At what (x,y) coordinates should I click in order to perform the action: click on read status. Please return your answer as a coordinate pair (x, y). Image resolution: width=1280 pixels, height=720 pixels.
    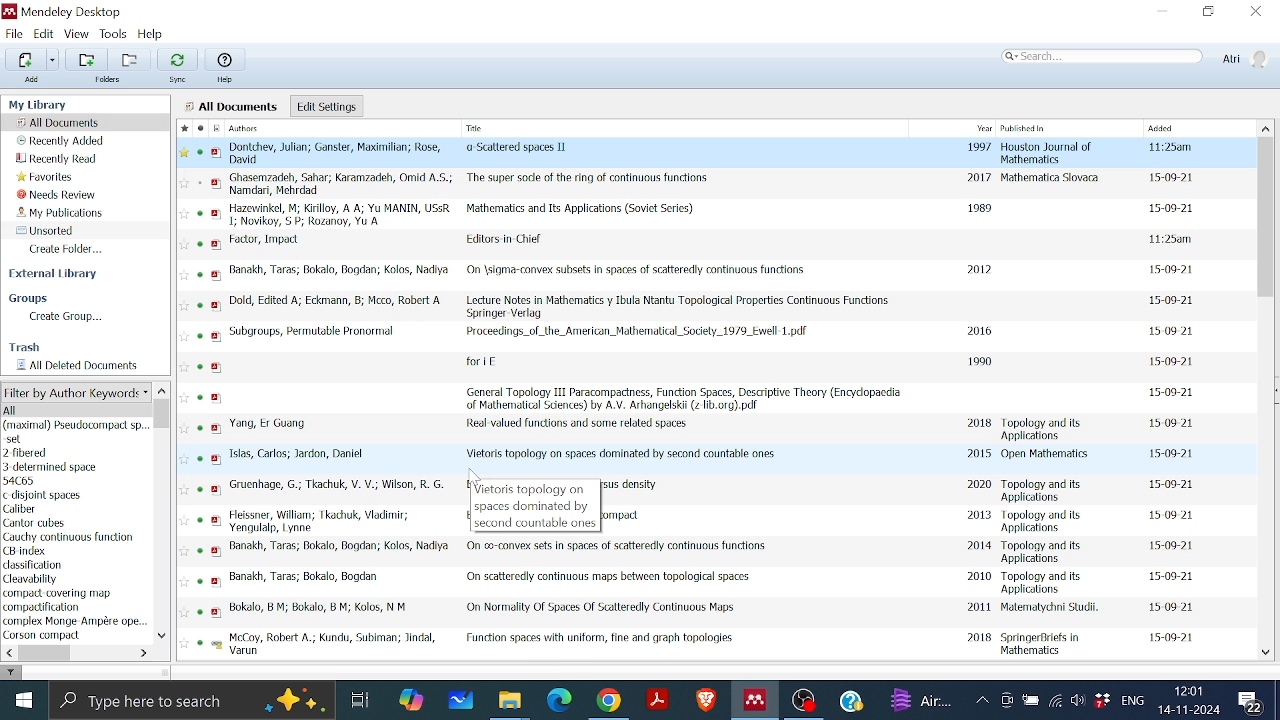
    Looking at the image, I should click on (205, 367).